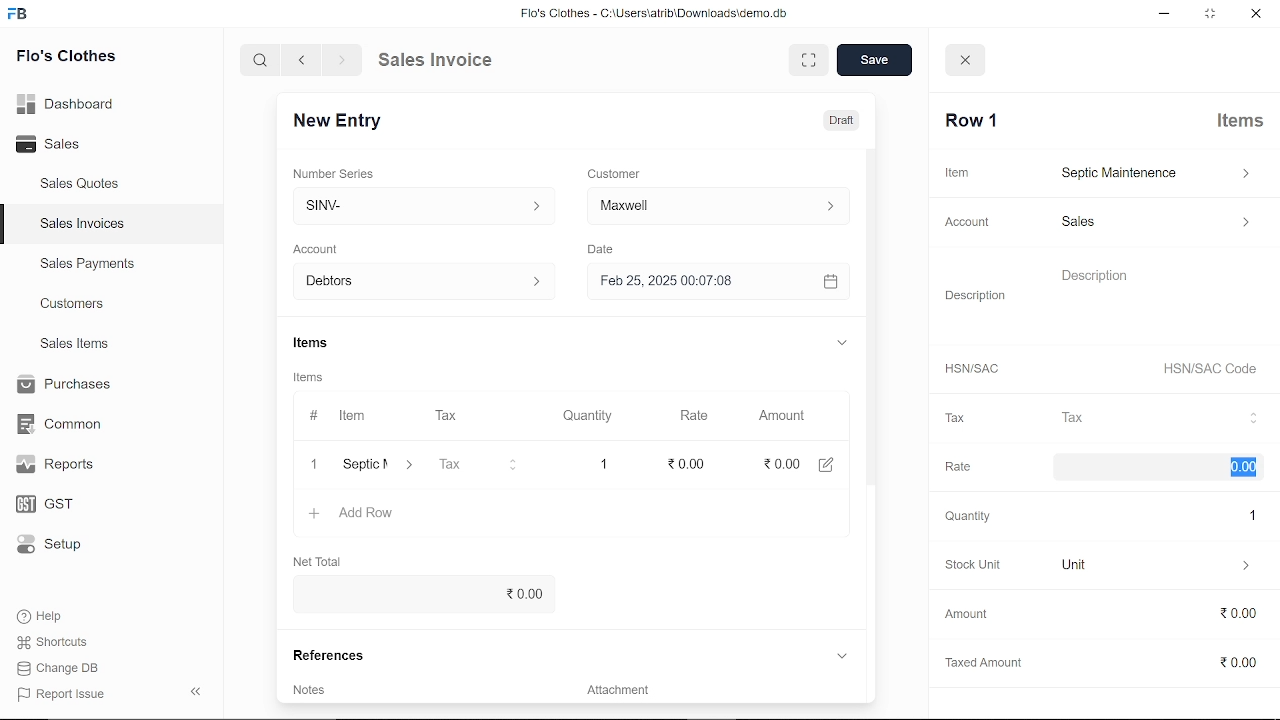 The height and width of the screenshot is (720, 1280). I want to click on expand, so click(841, 342).